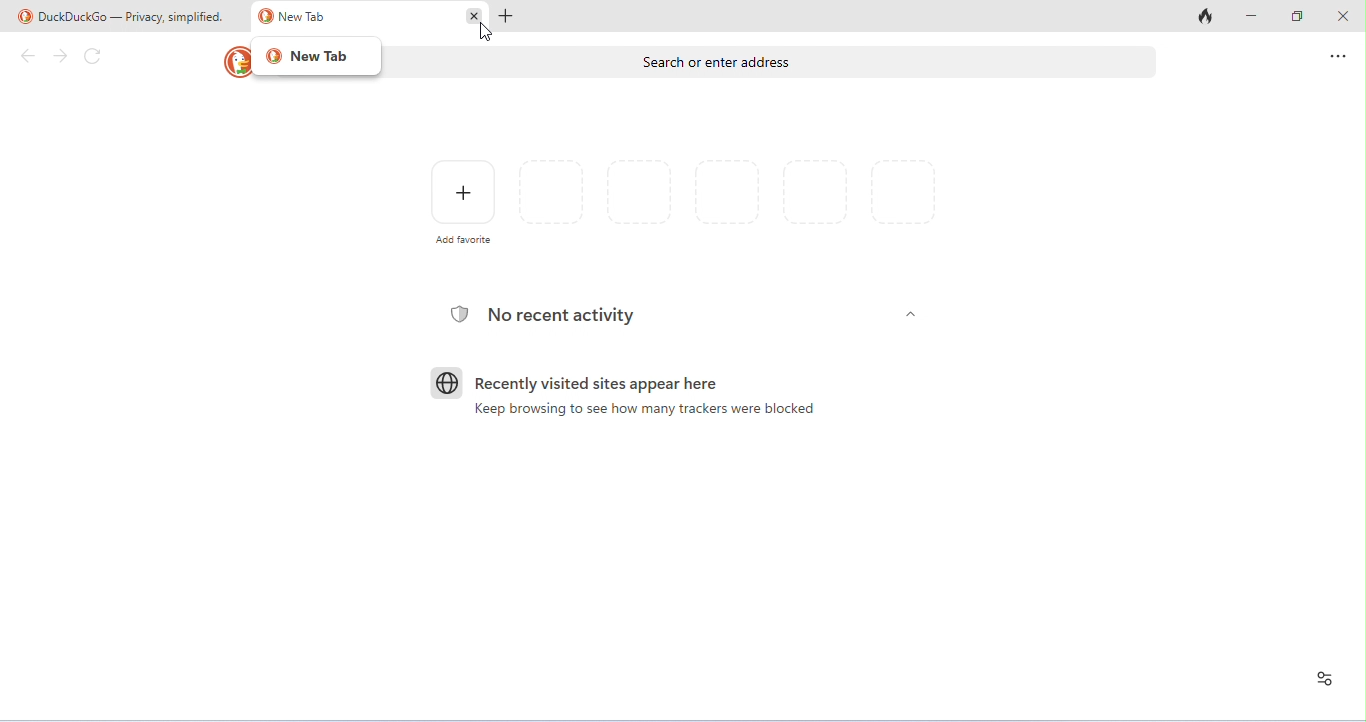 The image size is (1366, 722). What do you see at coordinates (292, 19) in the screenshot?
I see `new tab` at bounding box center [292, 19].